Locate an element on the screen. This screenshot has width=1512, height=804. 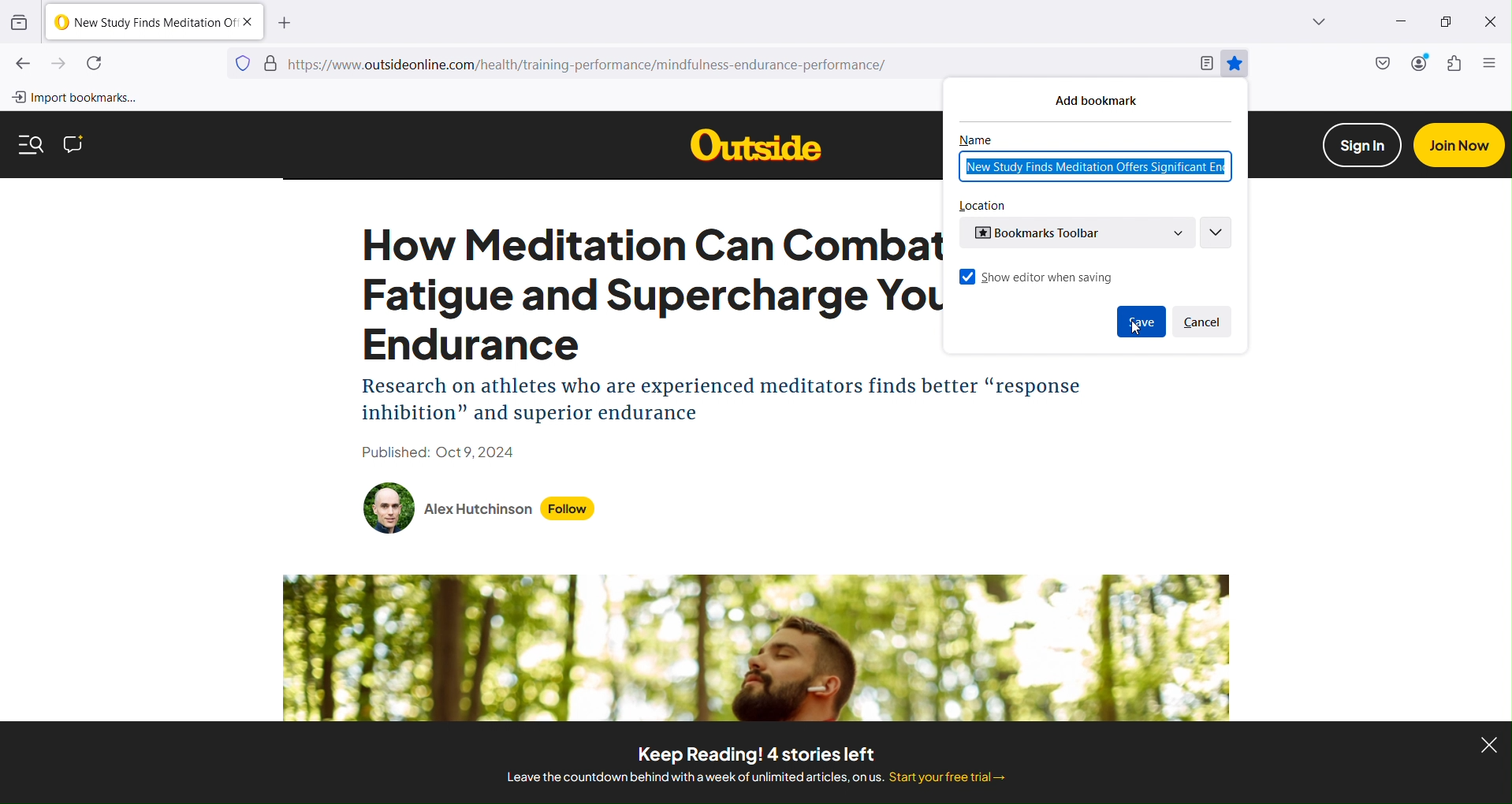
Open application menu is located at coordinates (1490, 62).